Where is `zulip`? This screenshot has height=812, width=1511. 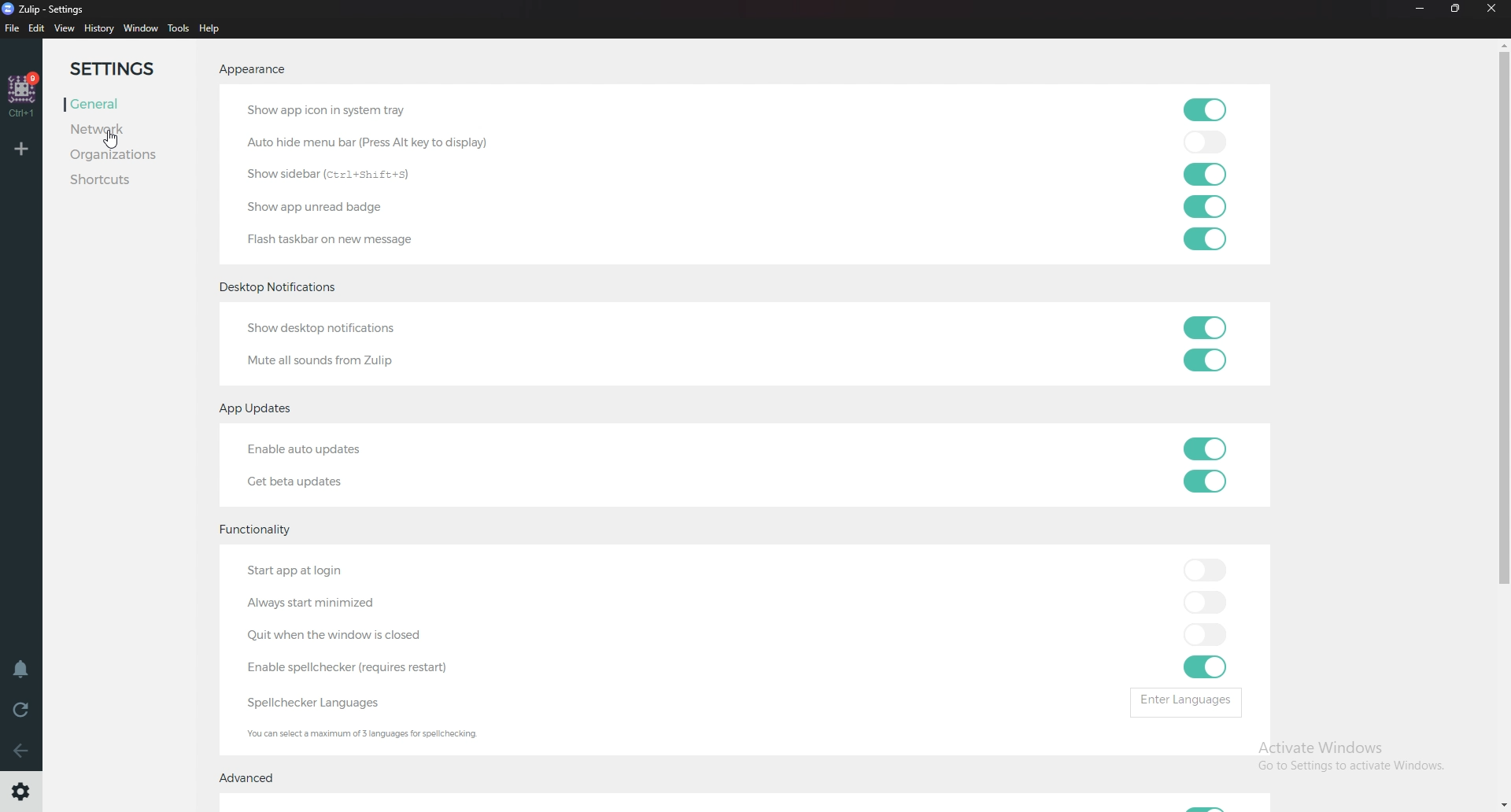 zulip is located at coordinates (39, 8).